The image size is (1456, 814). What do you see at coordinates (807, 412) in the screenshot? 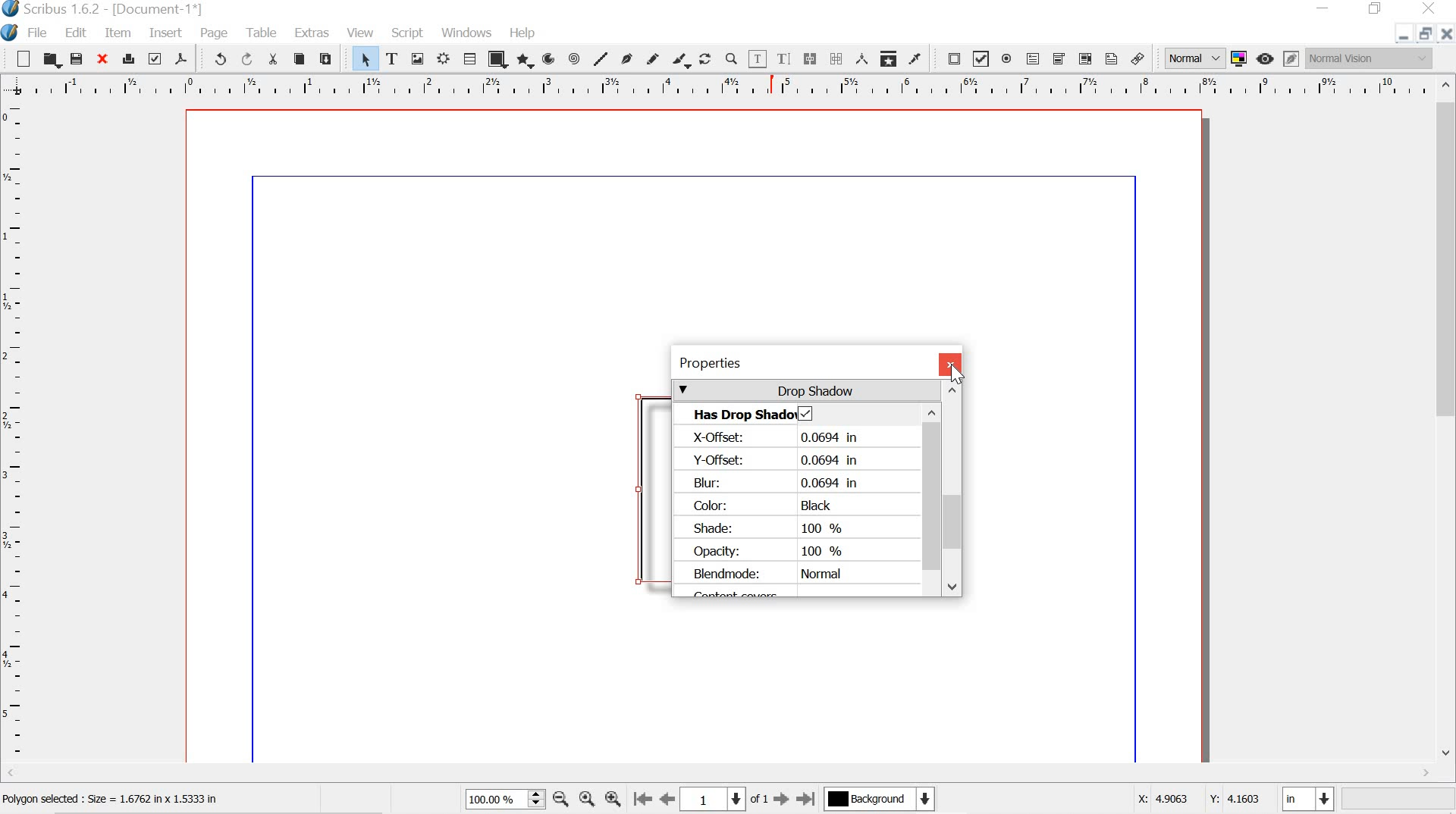
I see `drop shadow selected` at bounding box center [807, 412].